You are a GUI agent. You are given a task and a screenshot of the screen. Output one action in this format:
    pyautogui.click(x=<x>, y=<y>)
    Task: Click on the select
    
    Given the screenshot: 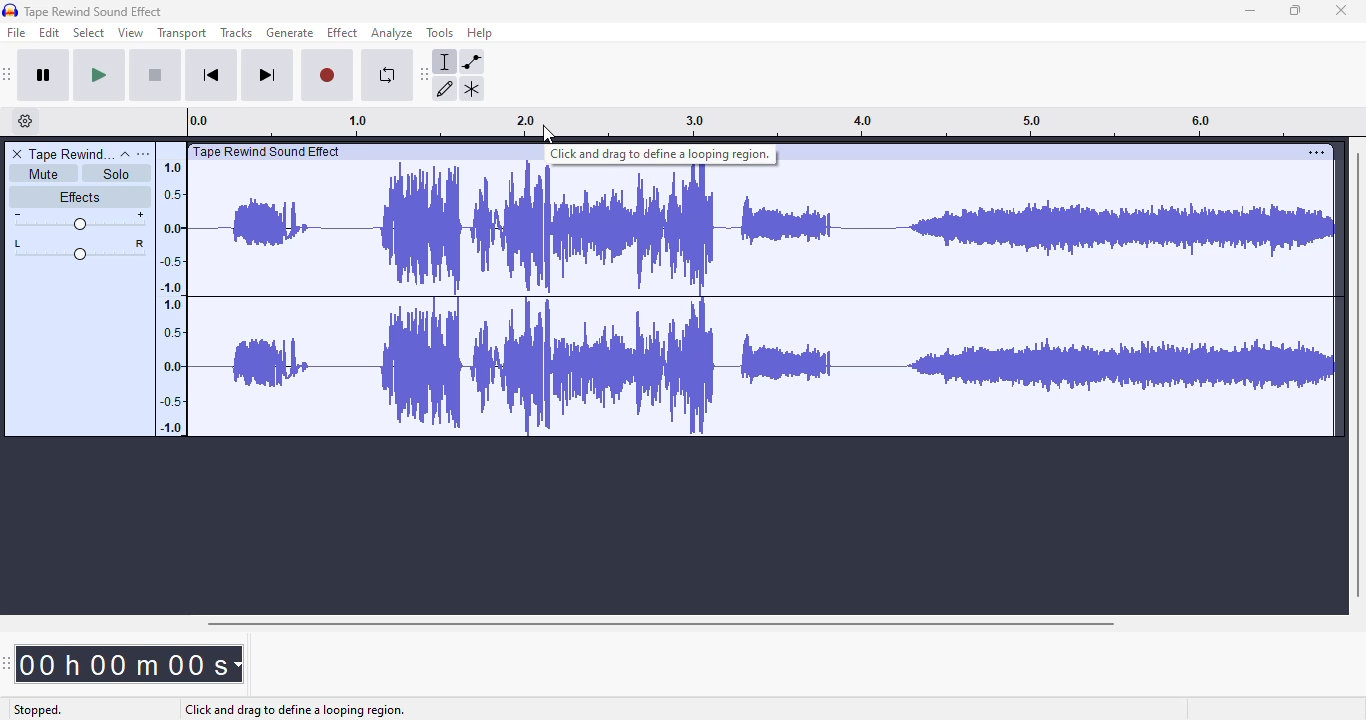 What is the action you would take?
    pyautogui.click(x=89, y=33)
    